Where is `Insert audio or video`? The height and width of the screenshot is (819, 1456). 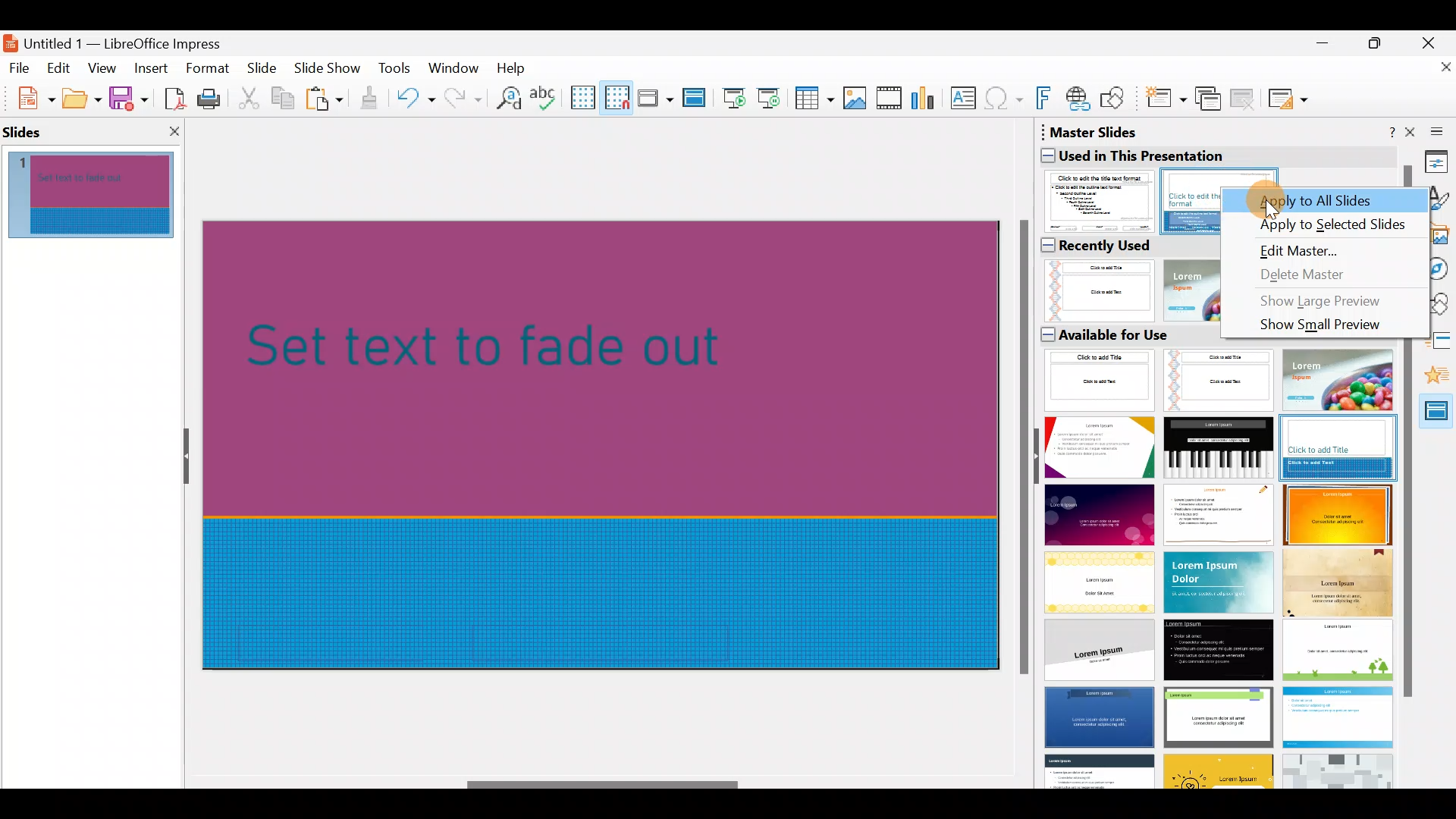
Insert audio or video is located at coordinates (890, 101).